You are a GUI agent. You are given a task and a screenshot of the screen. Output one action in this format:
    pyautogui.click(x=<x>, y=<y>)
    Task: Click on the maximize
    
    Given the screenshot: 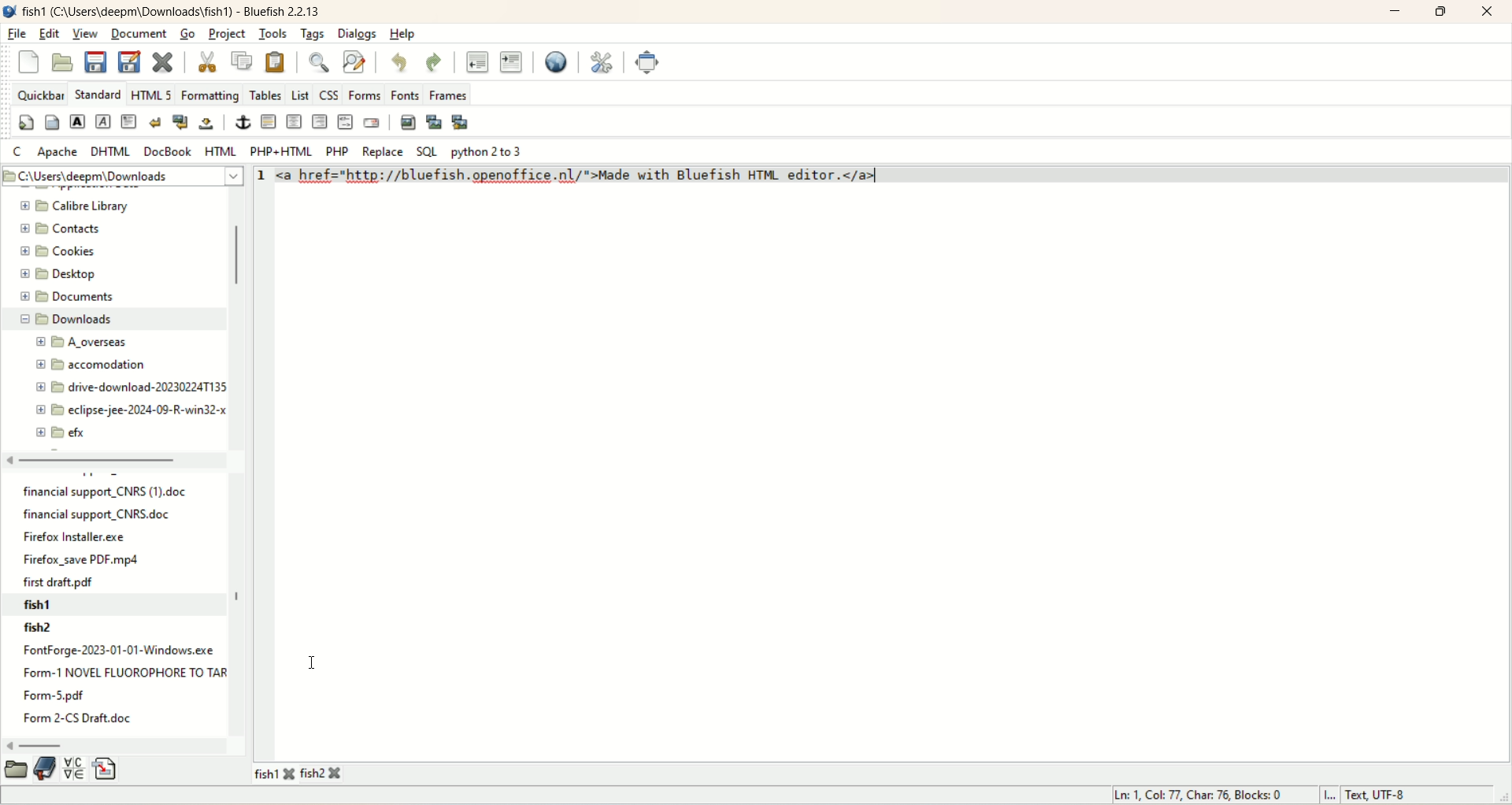 What is the action you would take?
    pyautogui.click(x=1439, y=12)
    